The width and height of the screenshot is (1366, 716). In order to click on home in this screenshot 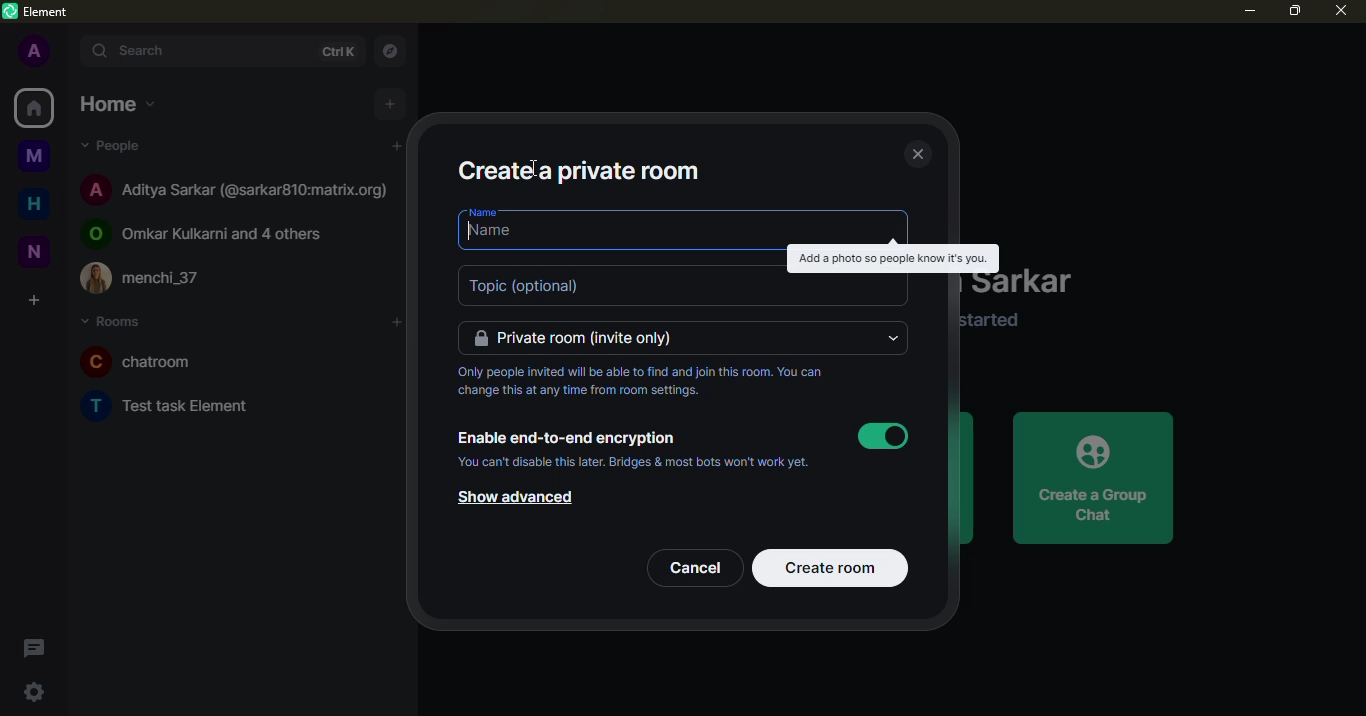, I will do `click(34, 107)`.